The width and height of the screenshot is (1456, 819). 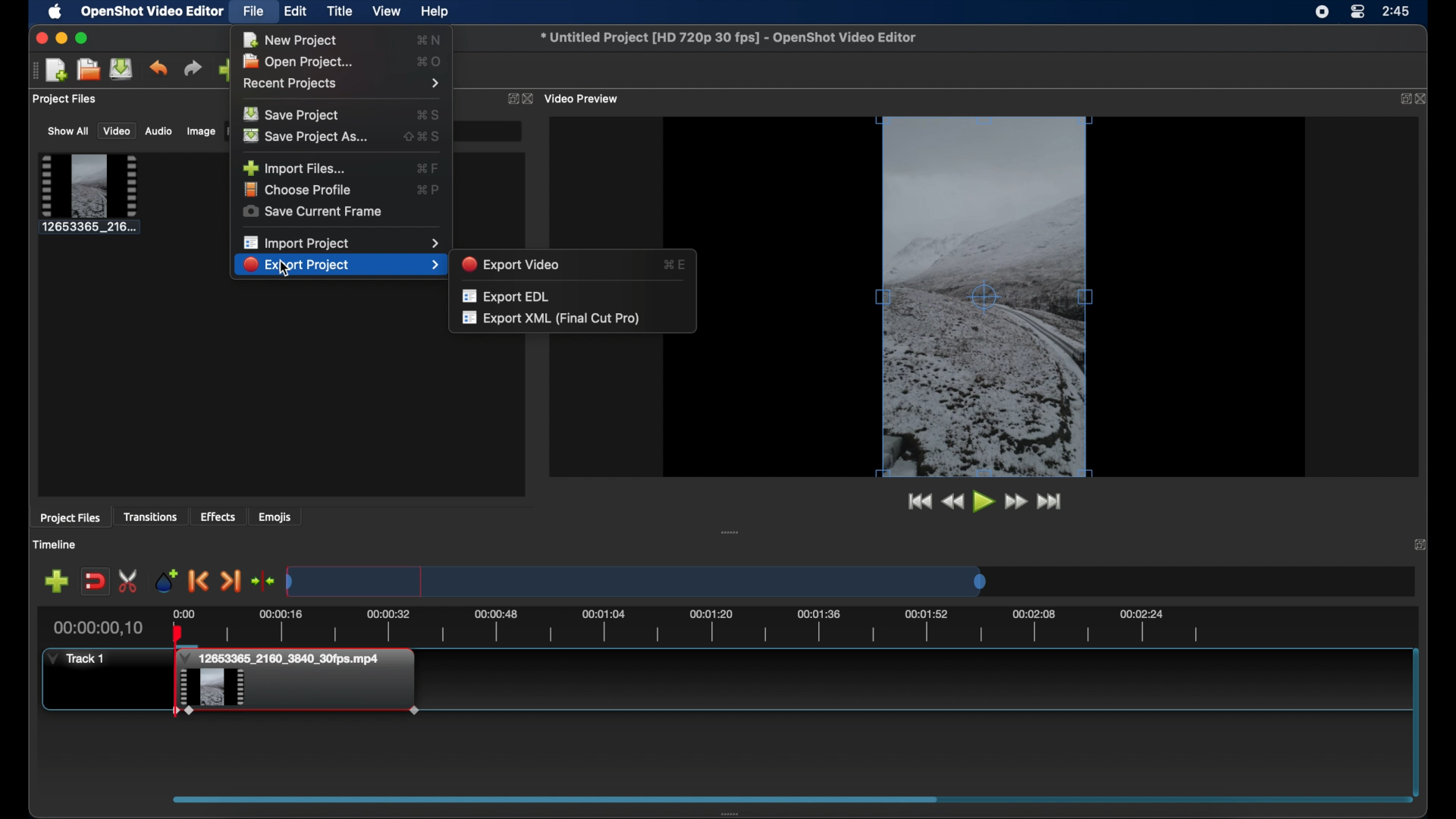 What do you see at coordinates (1016, 501) in the screenshot?
I see `fast forward` at bounding box center [1016, 501].